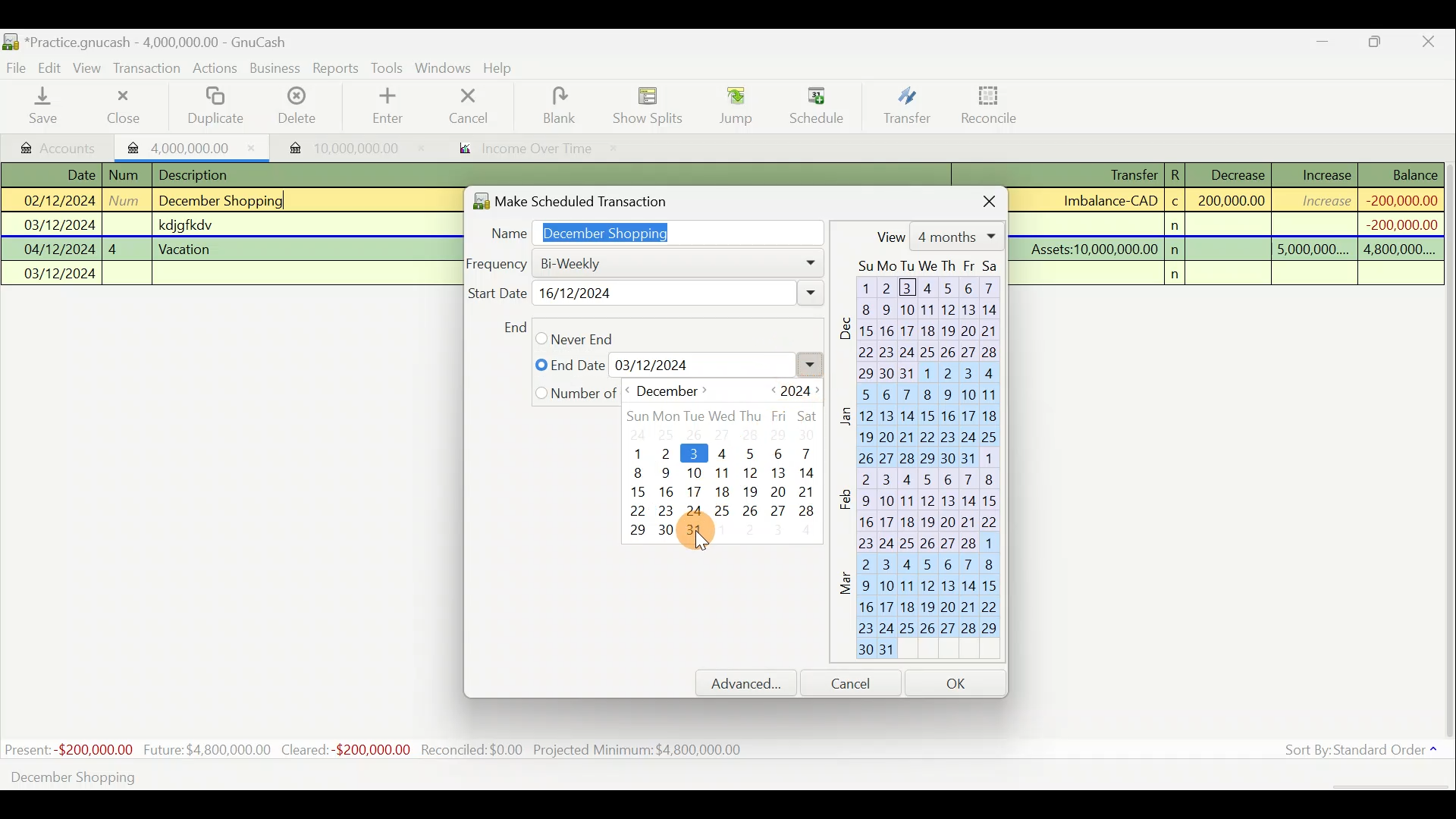 This screenshot has height=819, width=1456. I want to click on Advanced, so click(753, 683).